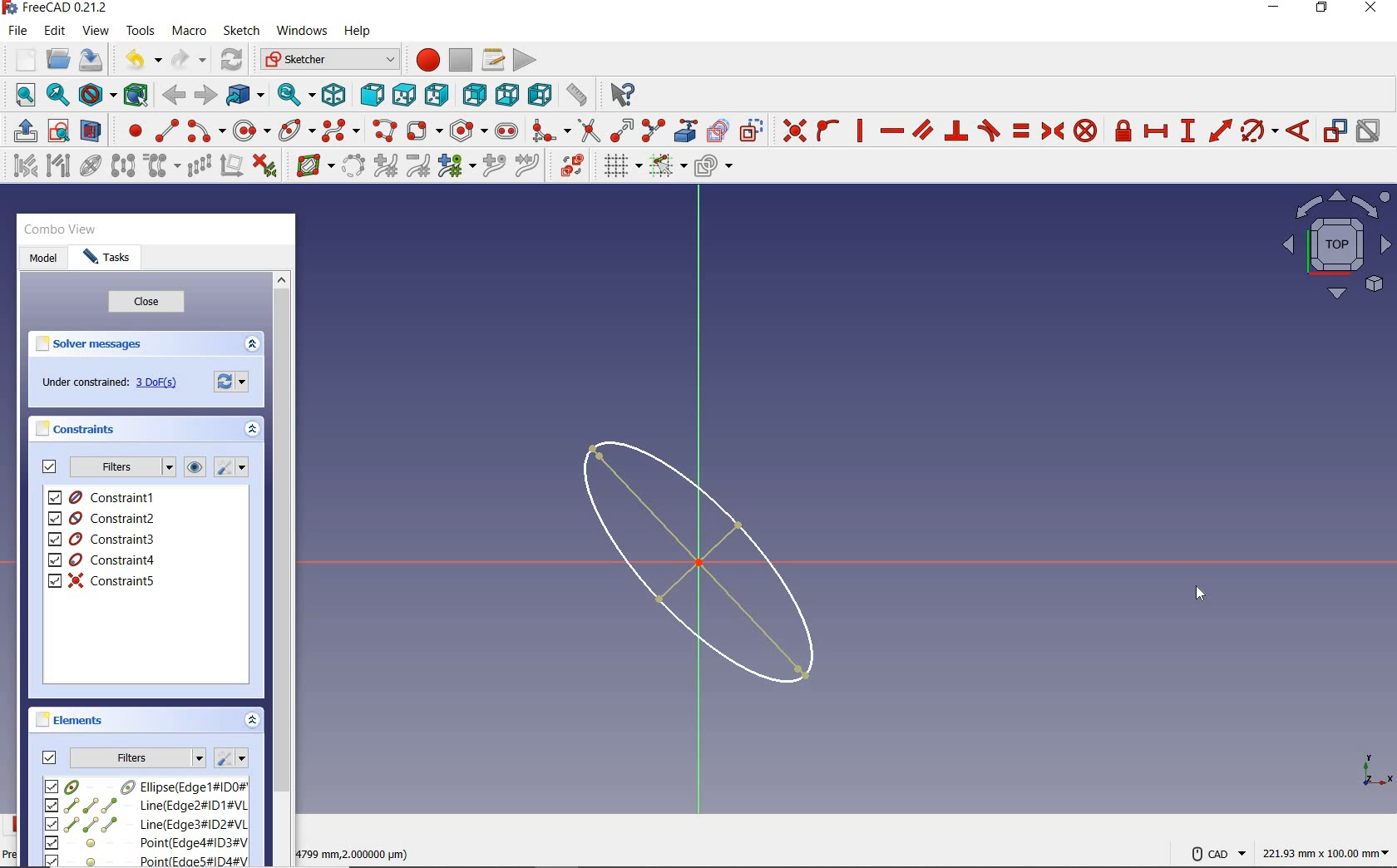 This screenshot has height=868, width=1397. I want to click on xyz, so click(1374, 768).